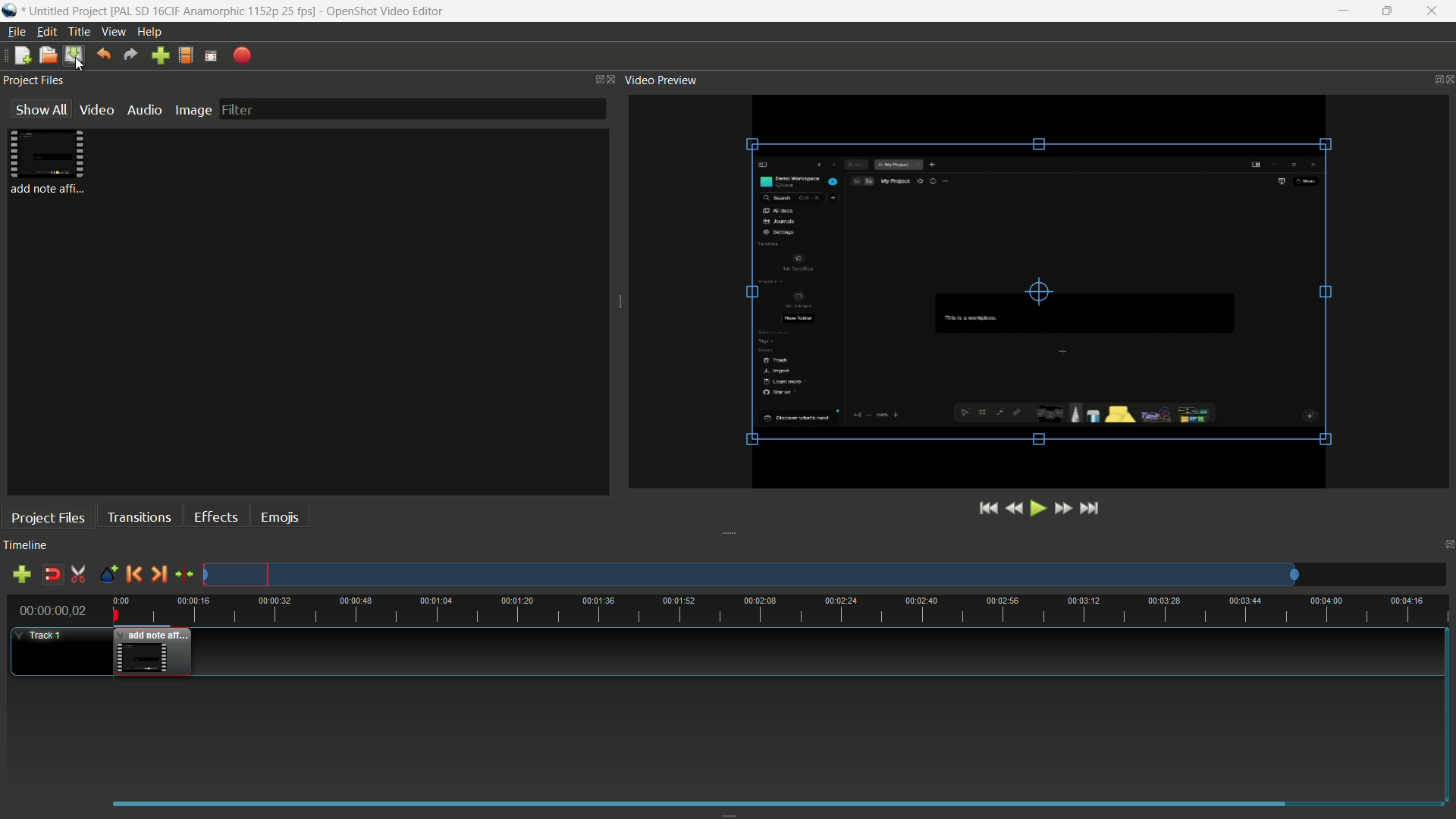 This screenshot has height=819, width=1456. Describe the element at coordinates (44, 634) in the screenshot. I see `track-1` at that location.